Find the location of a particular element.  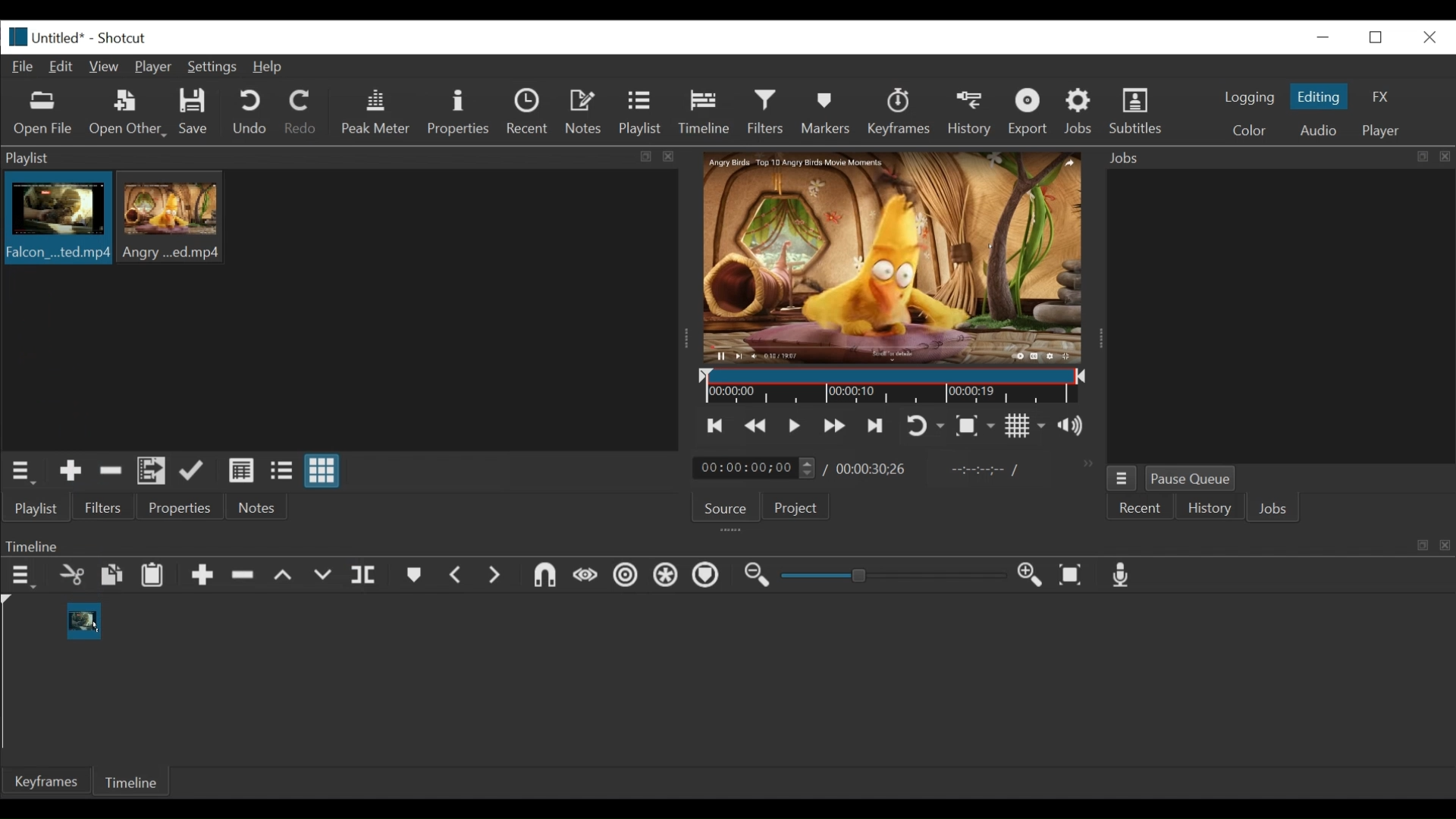

Keyframes is located at coordinates (48, 781).